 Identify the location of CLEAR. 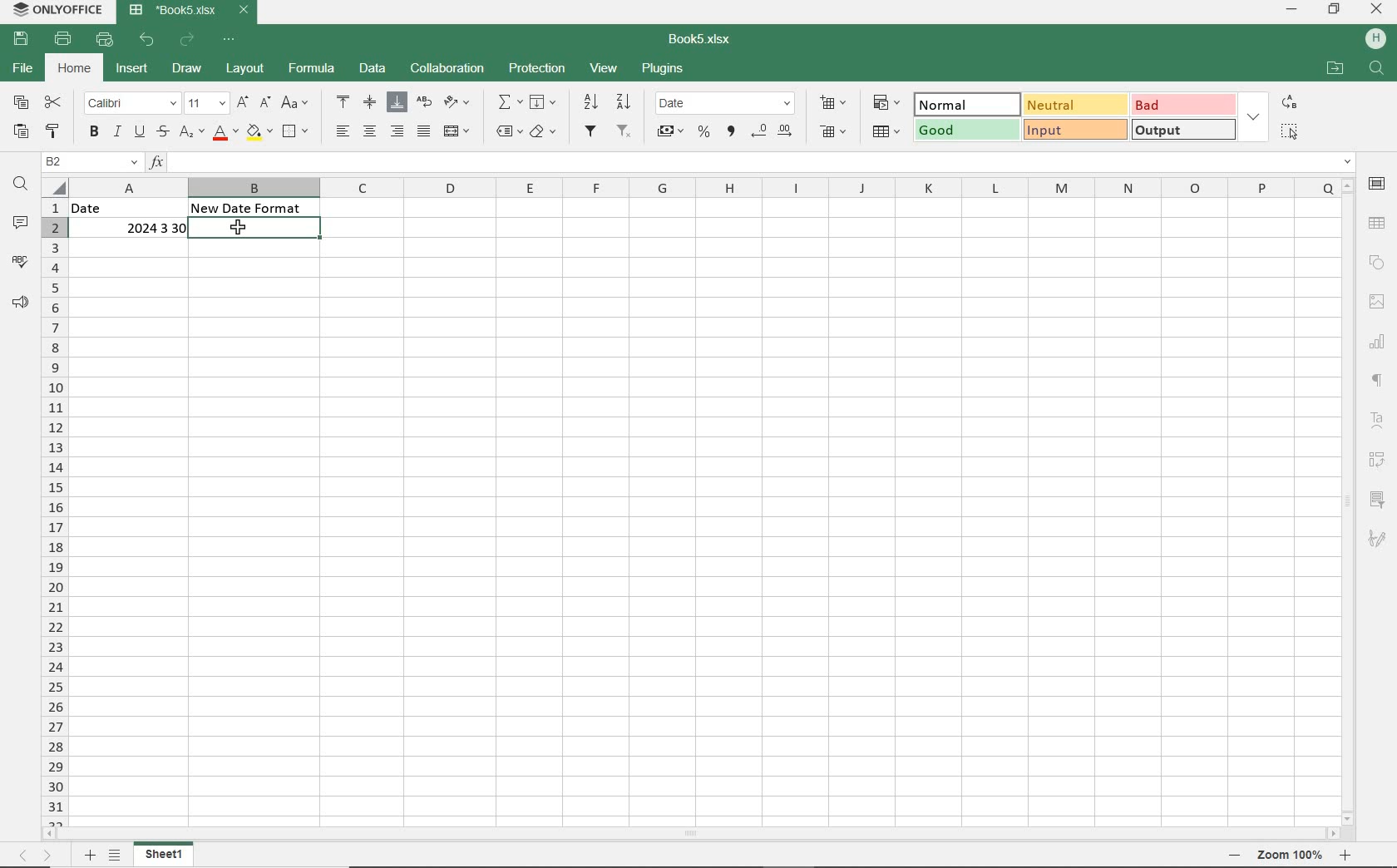
(544, 131).